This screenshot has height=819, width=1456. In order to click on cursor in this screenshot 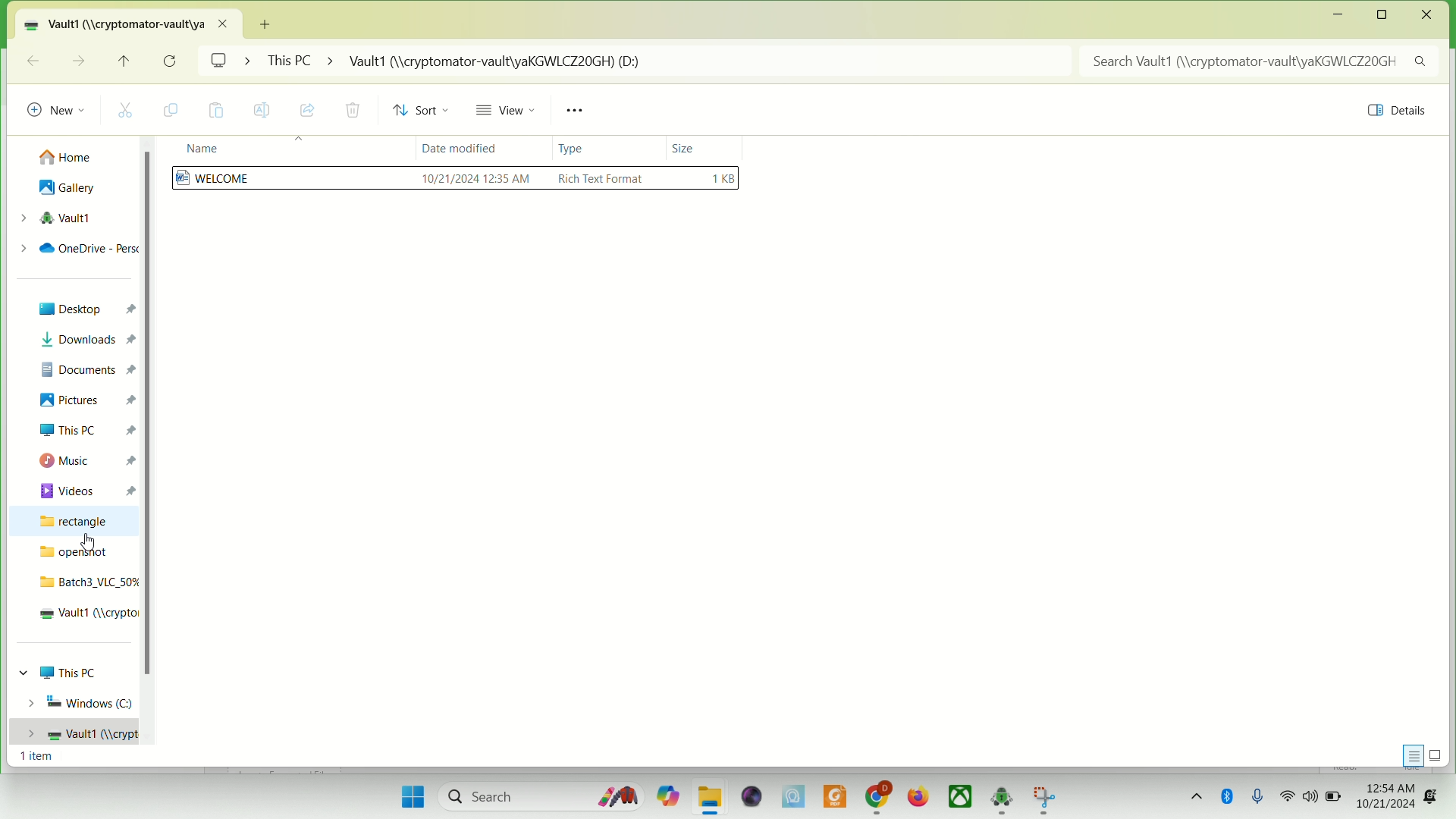, I will do `click(85, 545)`.